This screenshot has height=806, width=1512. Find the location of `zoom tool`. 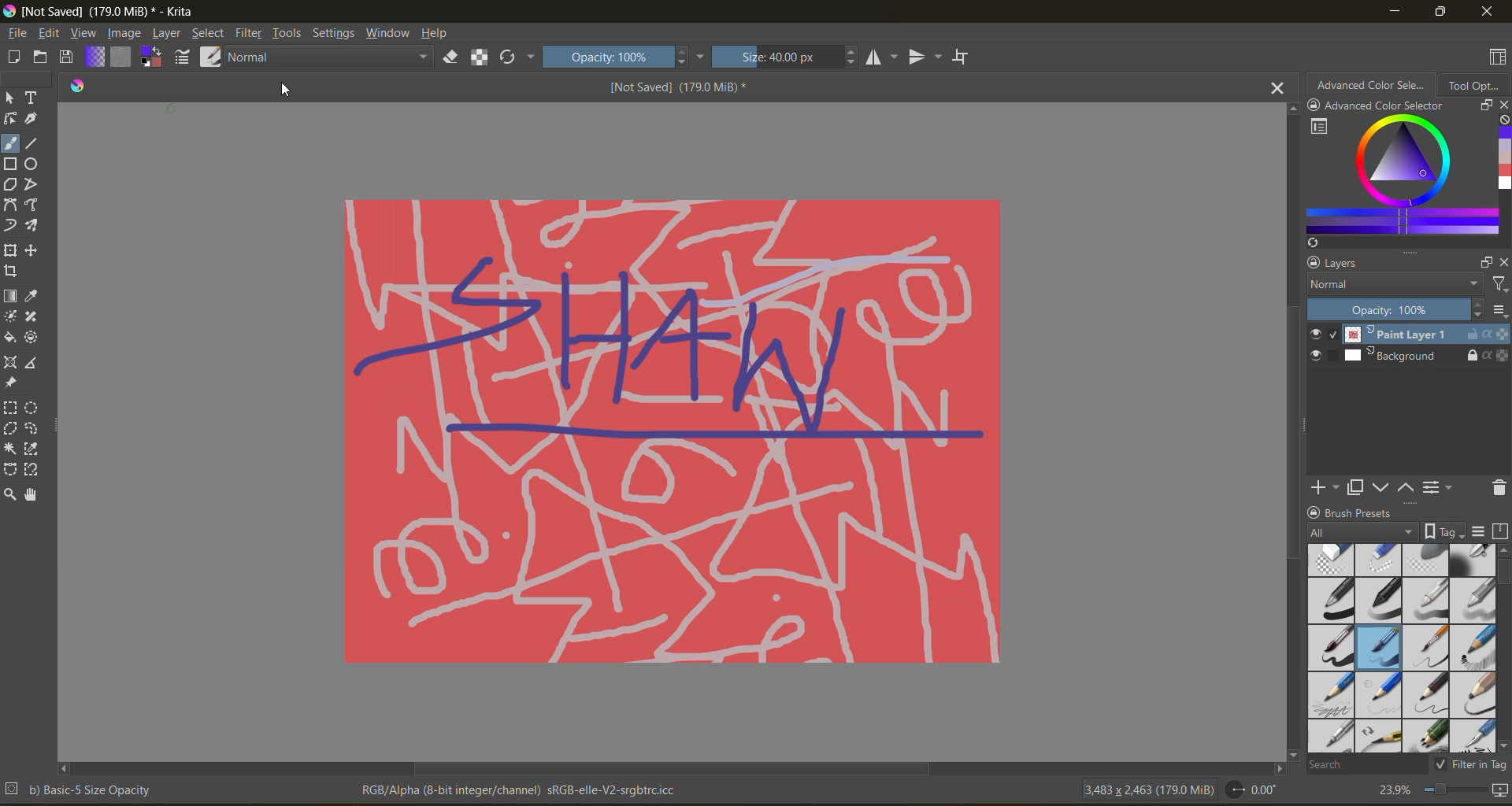

zoom tool is located at coordinates (12, 494).